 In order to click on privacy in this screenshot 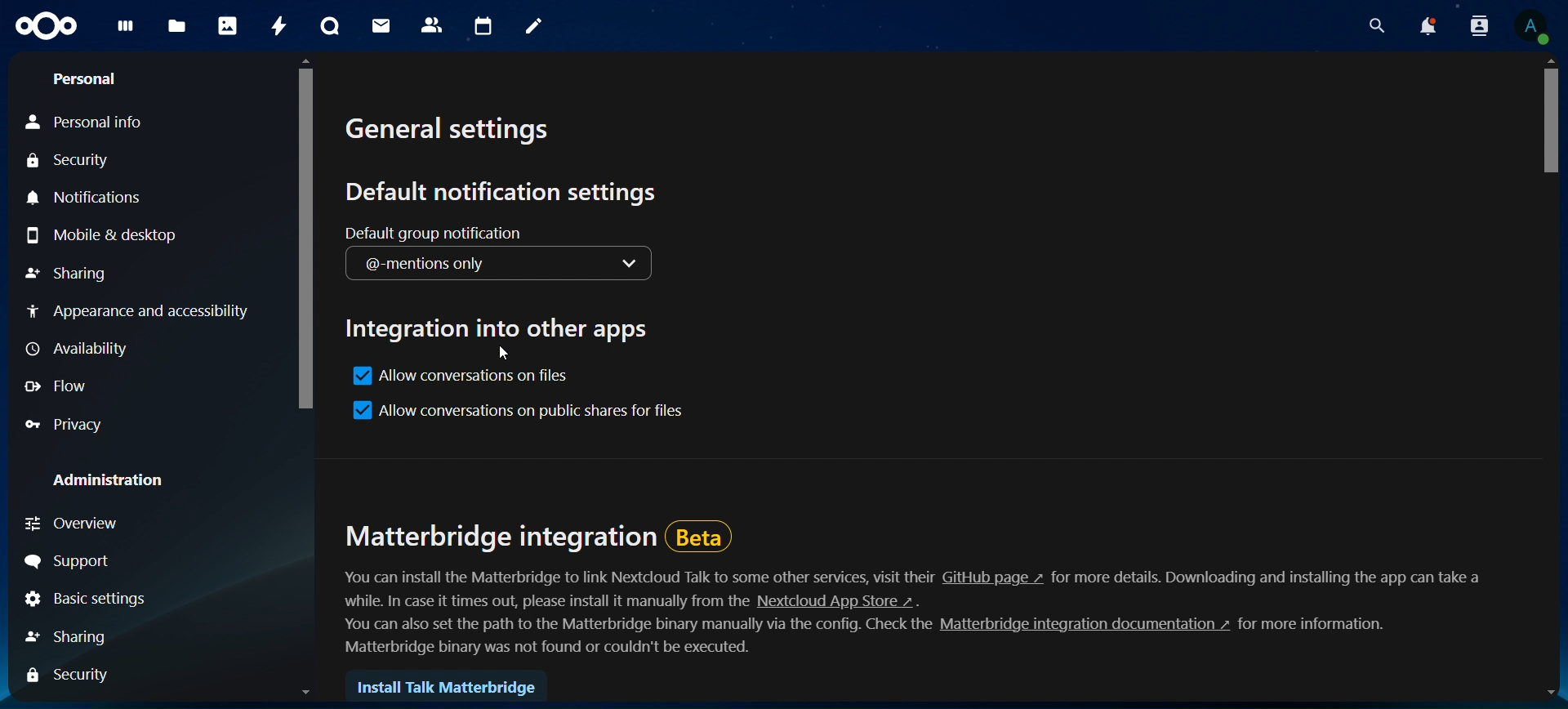, I will do `click(70, 423)`.